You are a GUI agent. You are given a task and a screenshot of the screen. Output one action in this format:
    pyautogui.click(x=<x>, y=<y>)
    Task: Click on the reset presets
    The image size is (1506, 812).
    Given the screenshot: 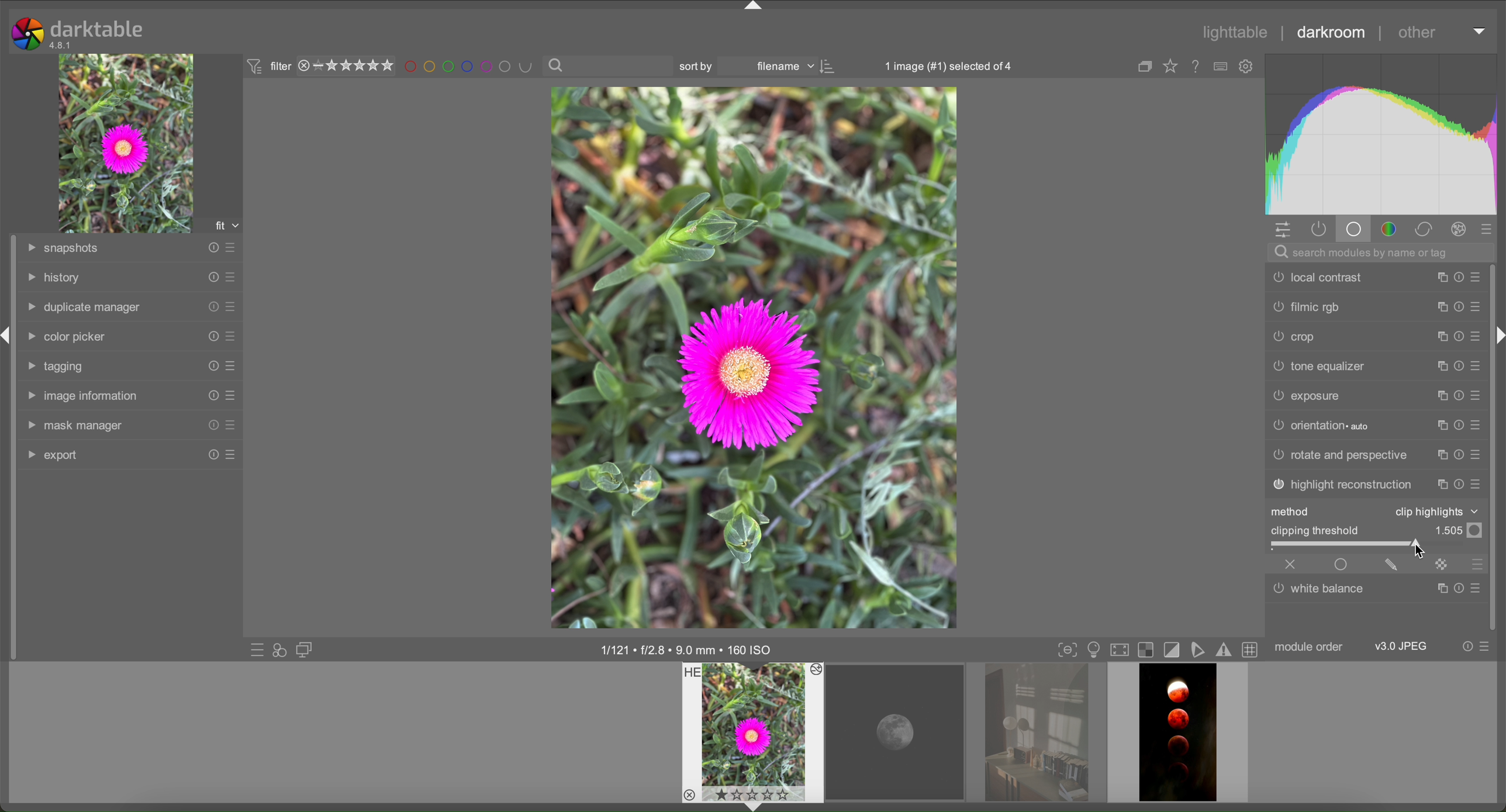 What is the action you would take?
    pyautogui.click(x=1458, y=336)
    